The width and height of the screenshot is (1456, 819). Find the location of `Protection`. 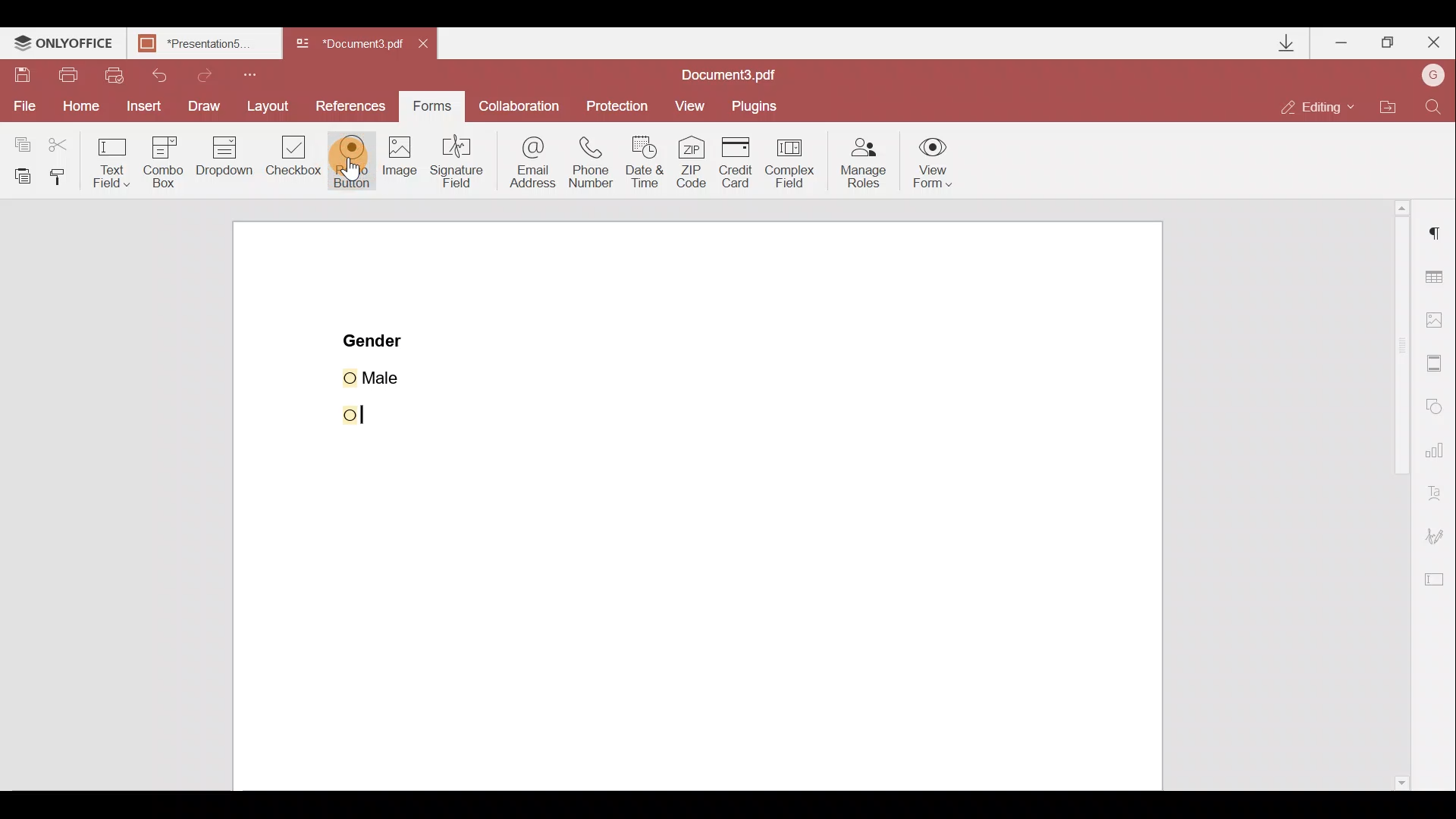

Protection is located at coordinates (619, 102).